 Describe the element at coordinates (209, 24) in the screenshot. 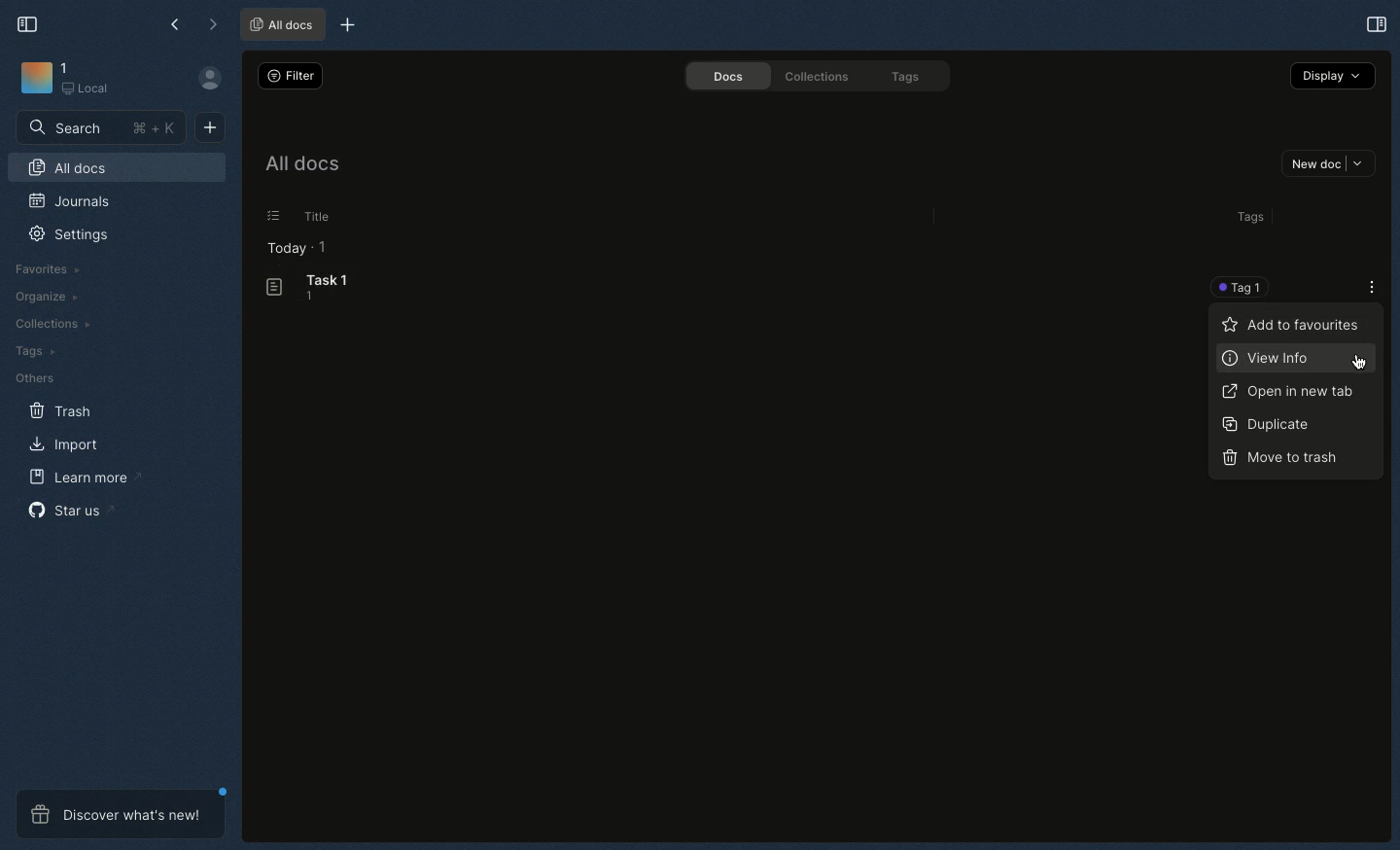

I see `Right arrow` at that location.